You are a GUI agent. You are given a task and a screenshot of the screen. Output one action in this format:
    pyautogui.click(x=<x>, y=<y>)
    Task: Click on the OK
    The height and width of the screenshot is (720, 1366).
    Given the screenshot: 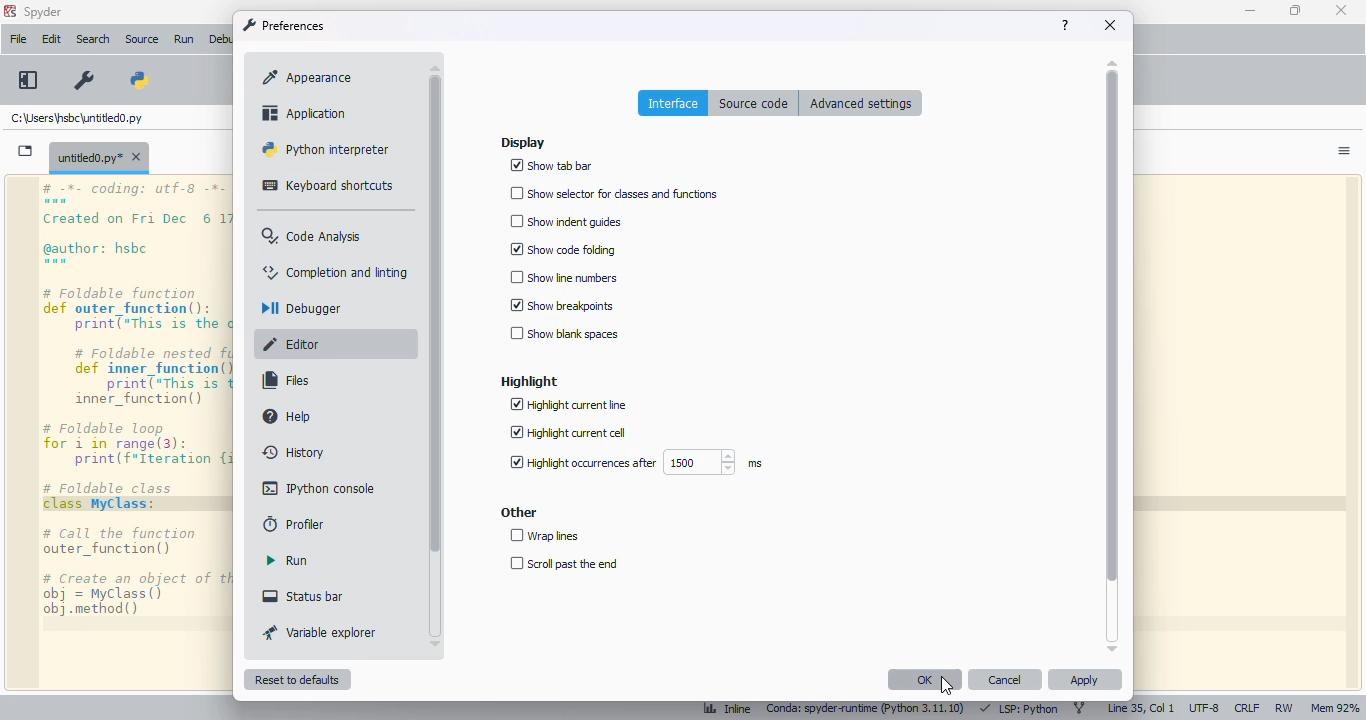 What is the action you would take?
    pyautogui.click(x=925, y=679)
    